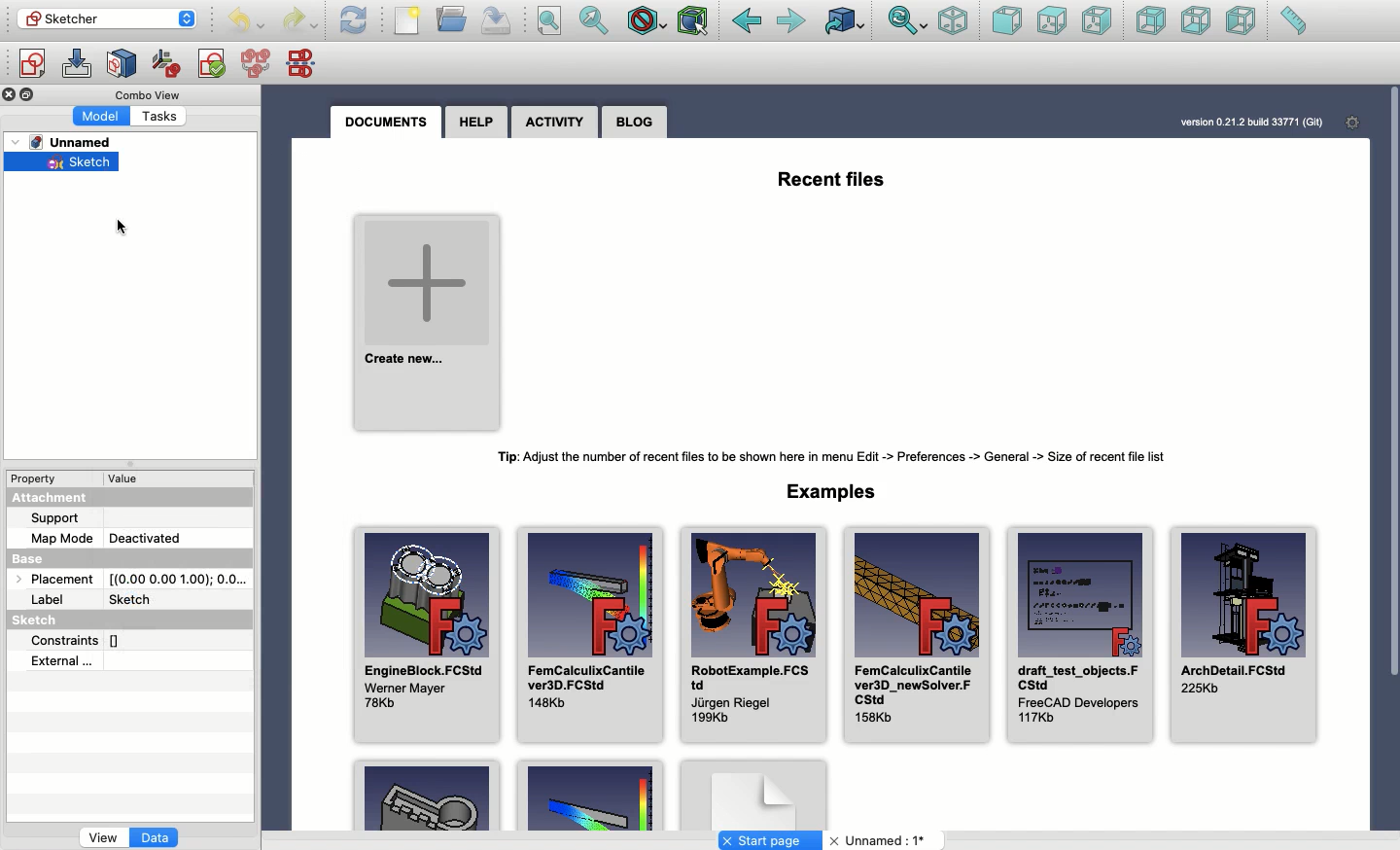 The width and height of the screenshot is (1400, 850). What do you see at coordinates (192, 10) in the screenshot?
I see `Up arrow` at bounding box center [192, 10].